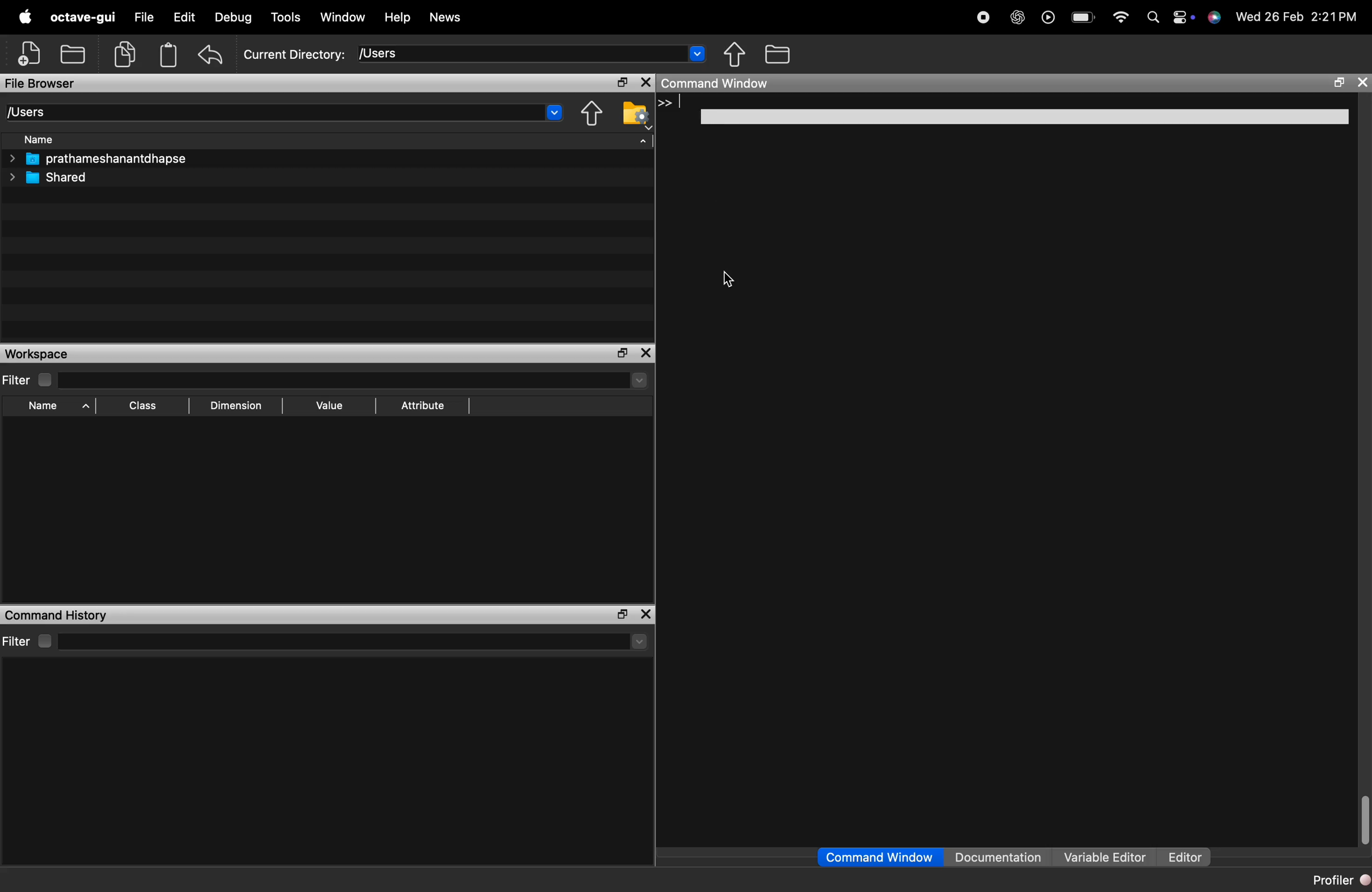 The image size is (1372, 892). Describe the element at coordinates (1124, 13) in the screenshot. I see `wifi` at that location.